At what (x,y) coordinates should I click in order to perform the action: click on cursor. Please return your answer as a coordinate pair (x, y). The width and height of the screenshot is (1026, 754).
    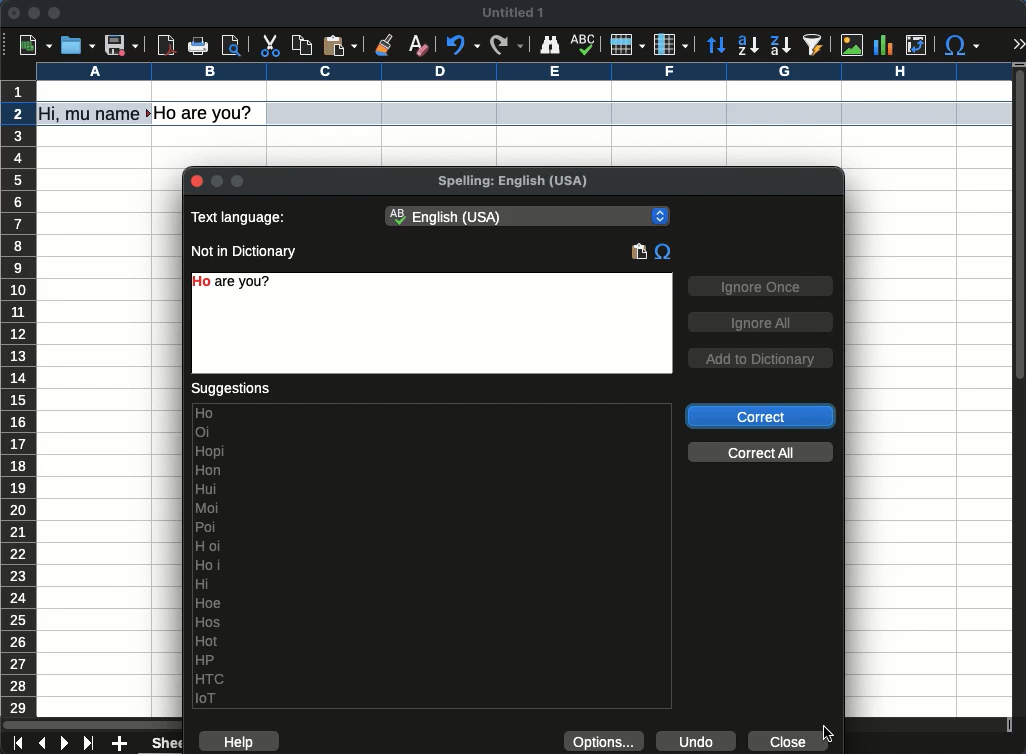
    Looking at the image, I should click on (22, 119).